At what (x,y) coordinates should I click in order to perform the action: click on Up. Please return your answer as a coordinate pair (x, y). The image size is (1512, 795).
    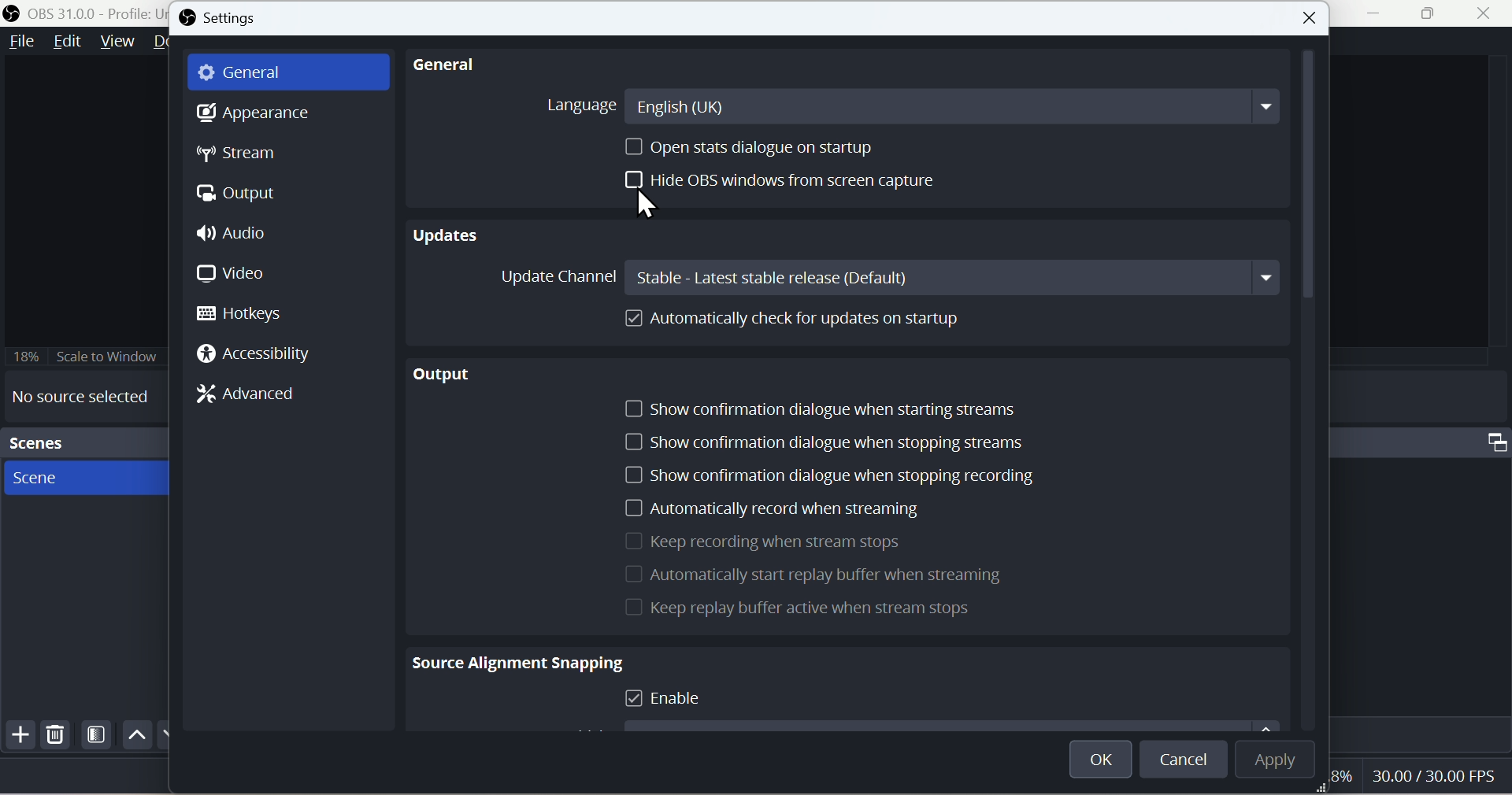
    Looking at the image, I should click on (138, 738).